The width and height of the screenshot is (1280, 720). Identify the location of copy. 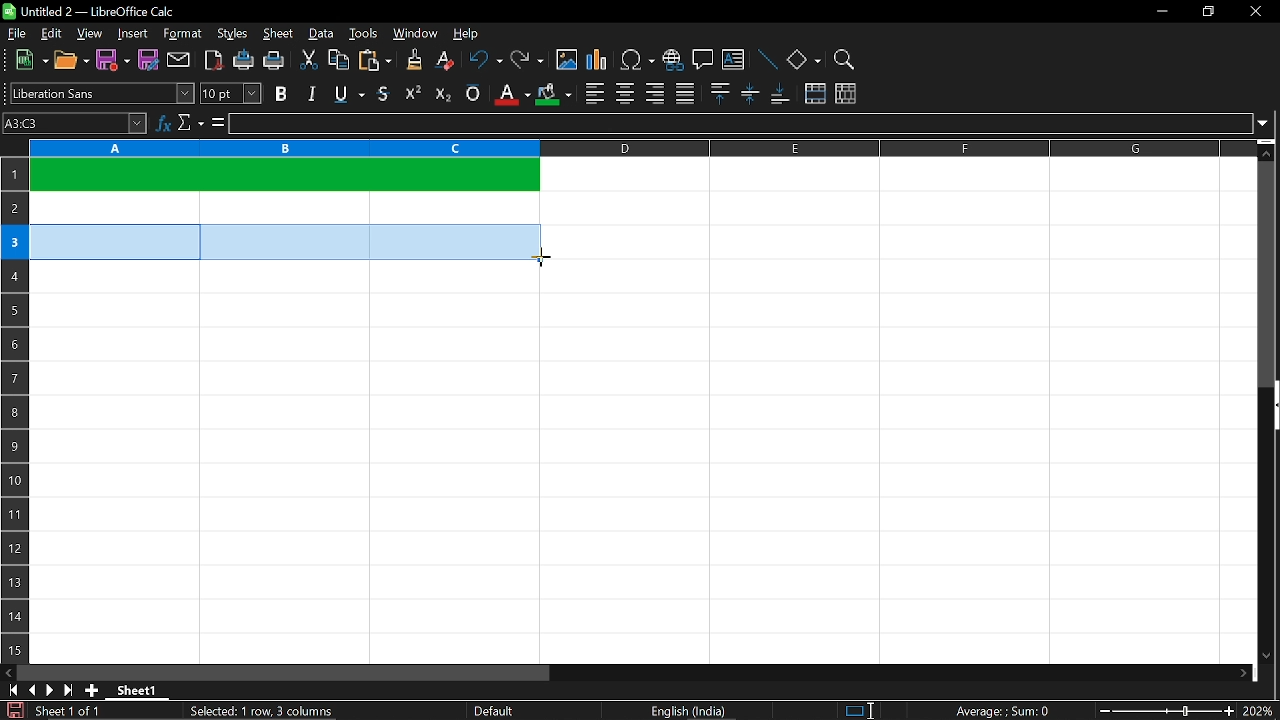
(339, 60).